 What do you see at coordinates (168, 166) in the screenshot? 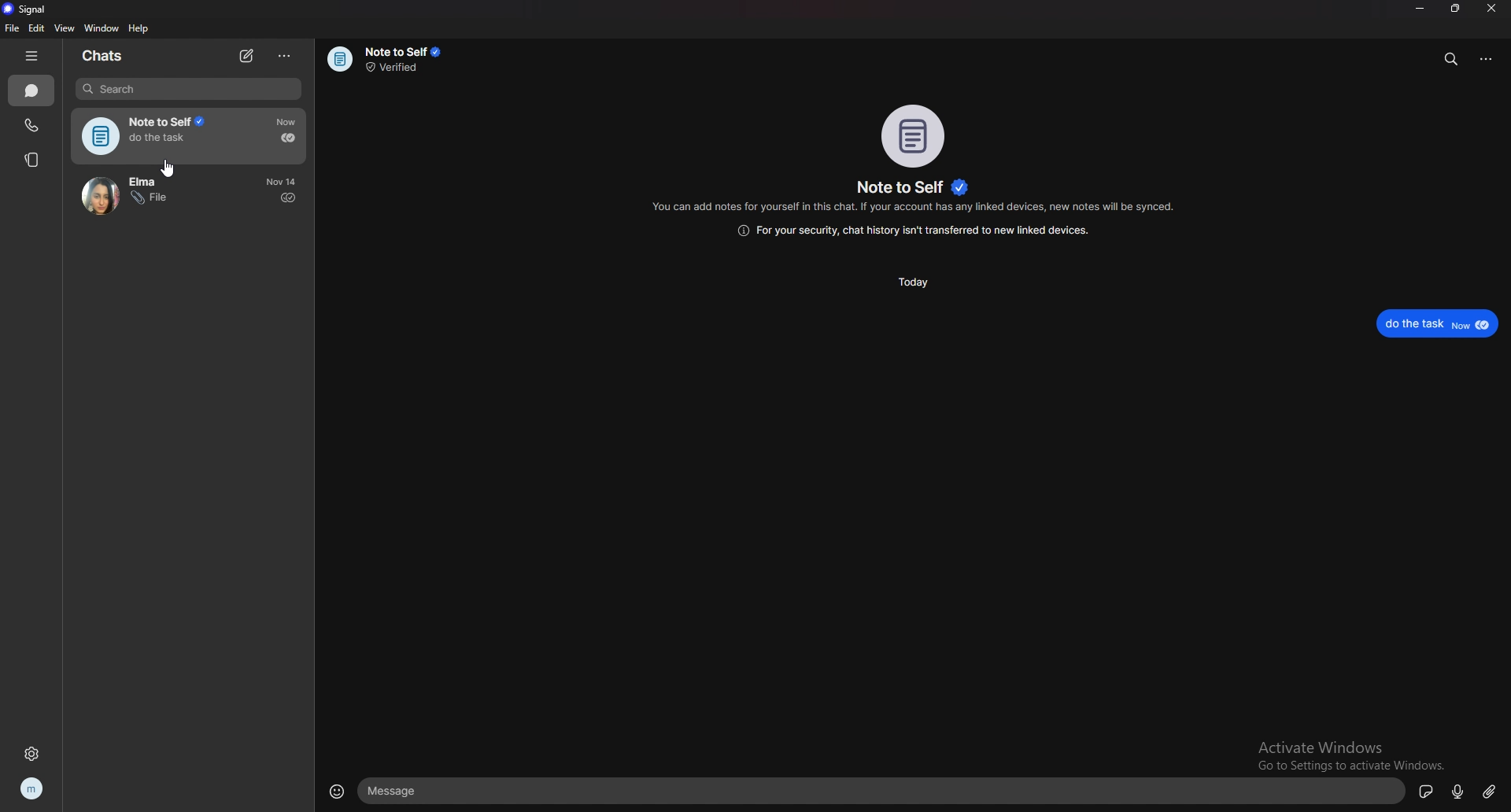
I see `cursor` at bounding box center [168, 166].